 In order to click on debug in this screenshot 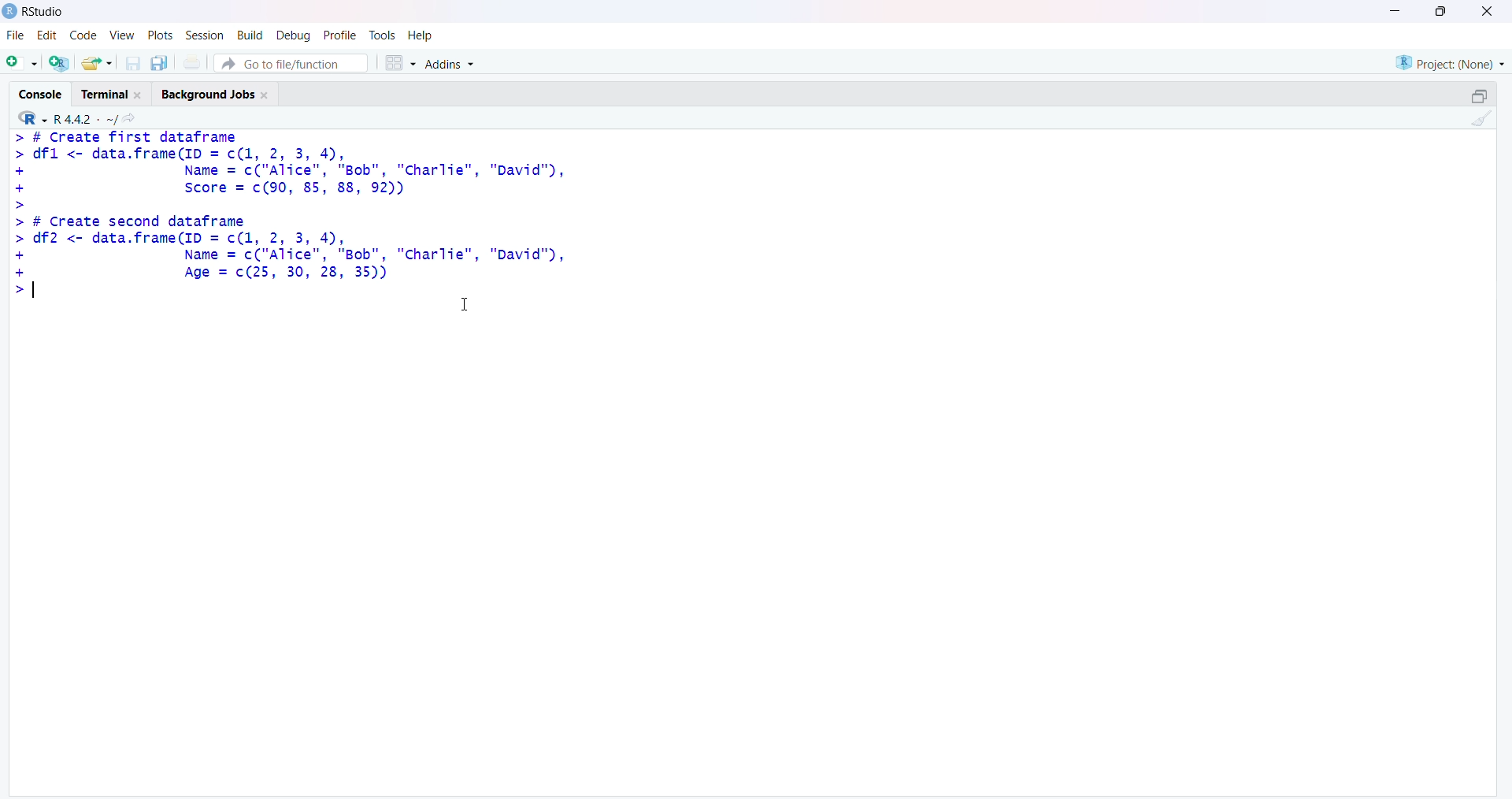, I will do `click(295, 36)`.